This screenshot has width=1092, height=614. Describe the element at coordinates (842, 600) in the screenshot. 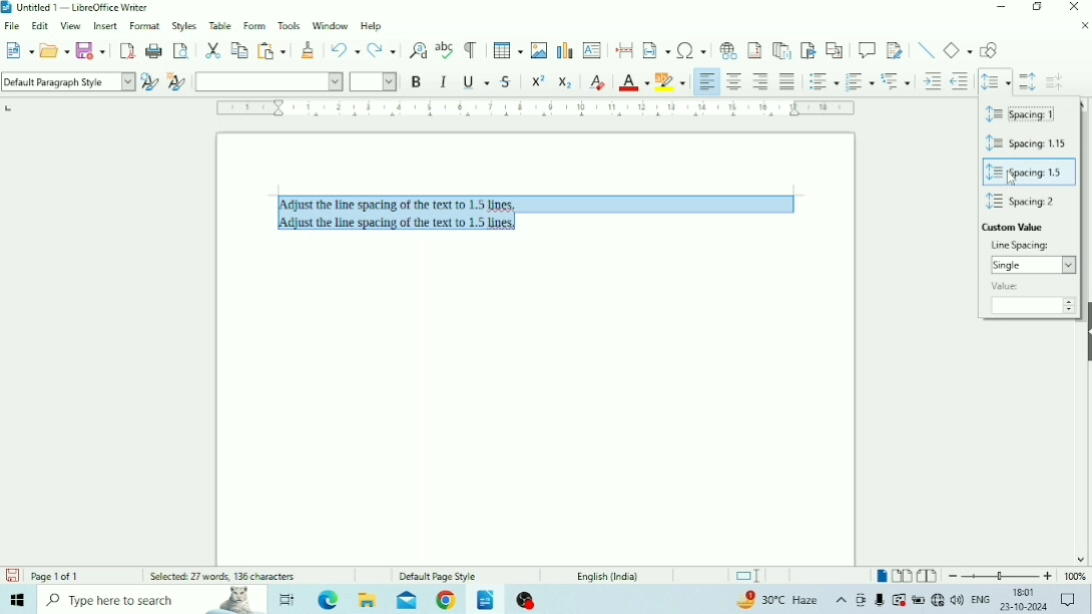

I see `Show hidden icons` at that location.